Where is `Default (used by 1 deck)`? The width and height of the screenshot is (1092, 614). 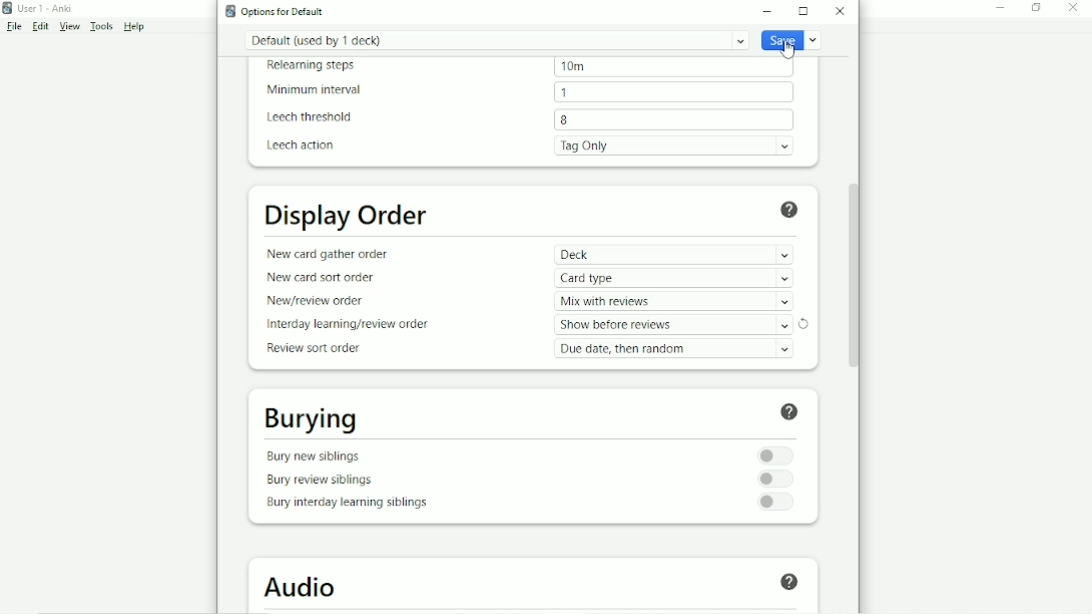 Default (used by 1 deck) is located at coordinates (497, 40).